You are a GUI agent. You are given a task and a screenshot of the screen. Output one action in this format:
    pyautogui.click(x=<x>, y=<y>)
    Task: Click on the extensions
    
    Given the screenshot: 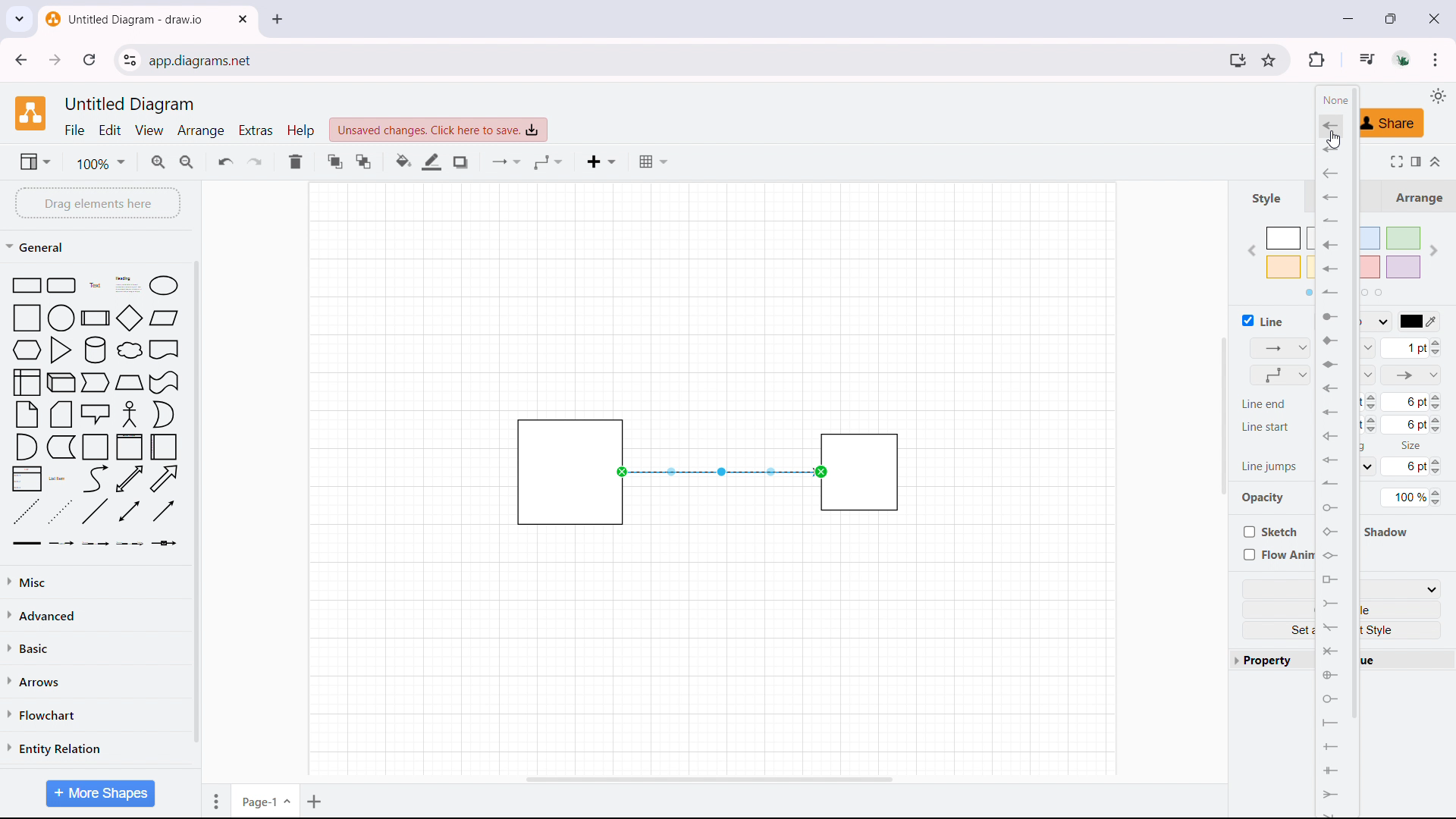 What is the action you would take?
    pyautogui.click(x=1316, y=59)
    